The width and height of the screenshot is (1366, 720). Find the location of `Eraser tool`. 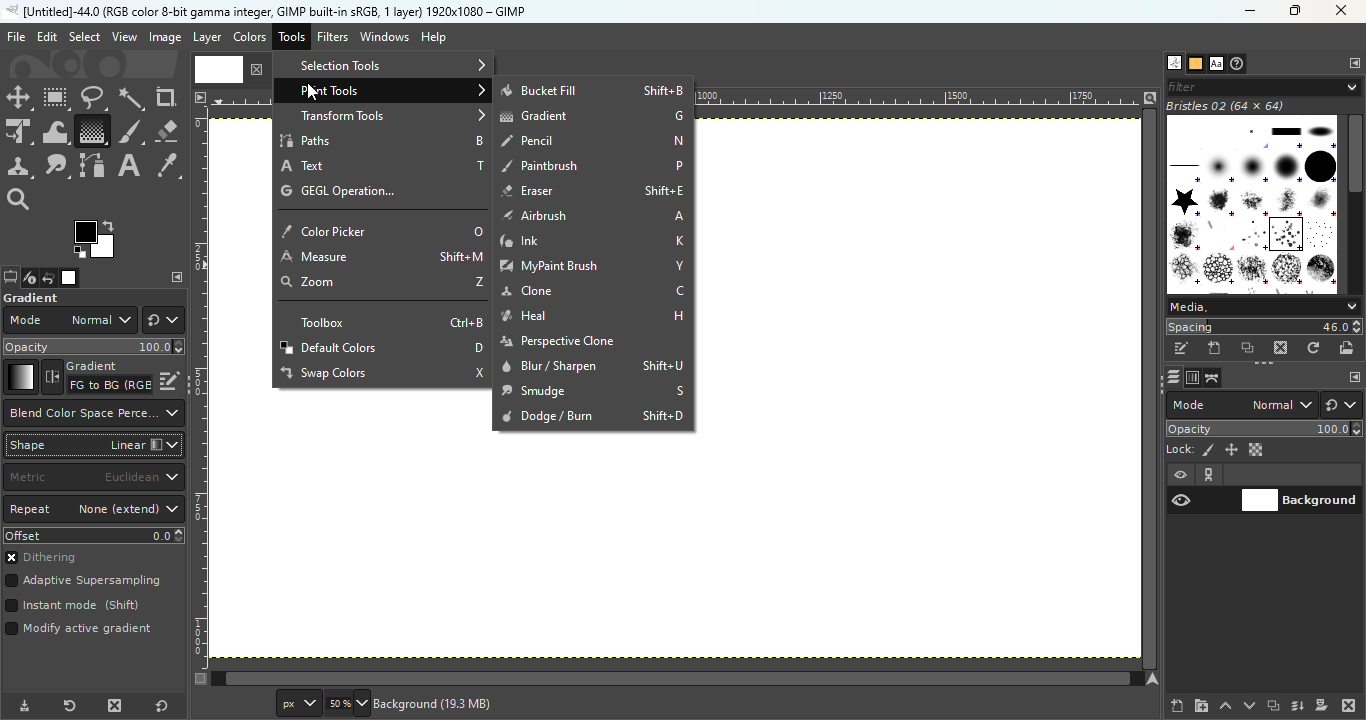

Eraser tool is located at coordinates (166, 127).